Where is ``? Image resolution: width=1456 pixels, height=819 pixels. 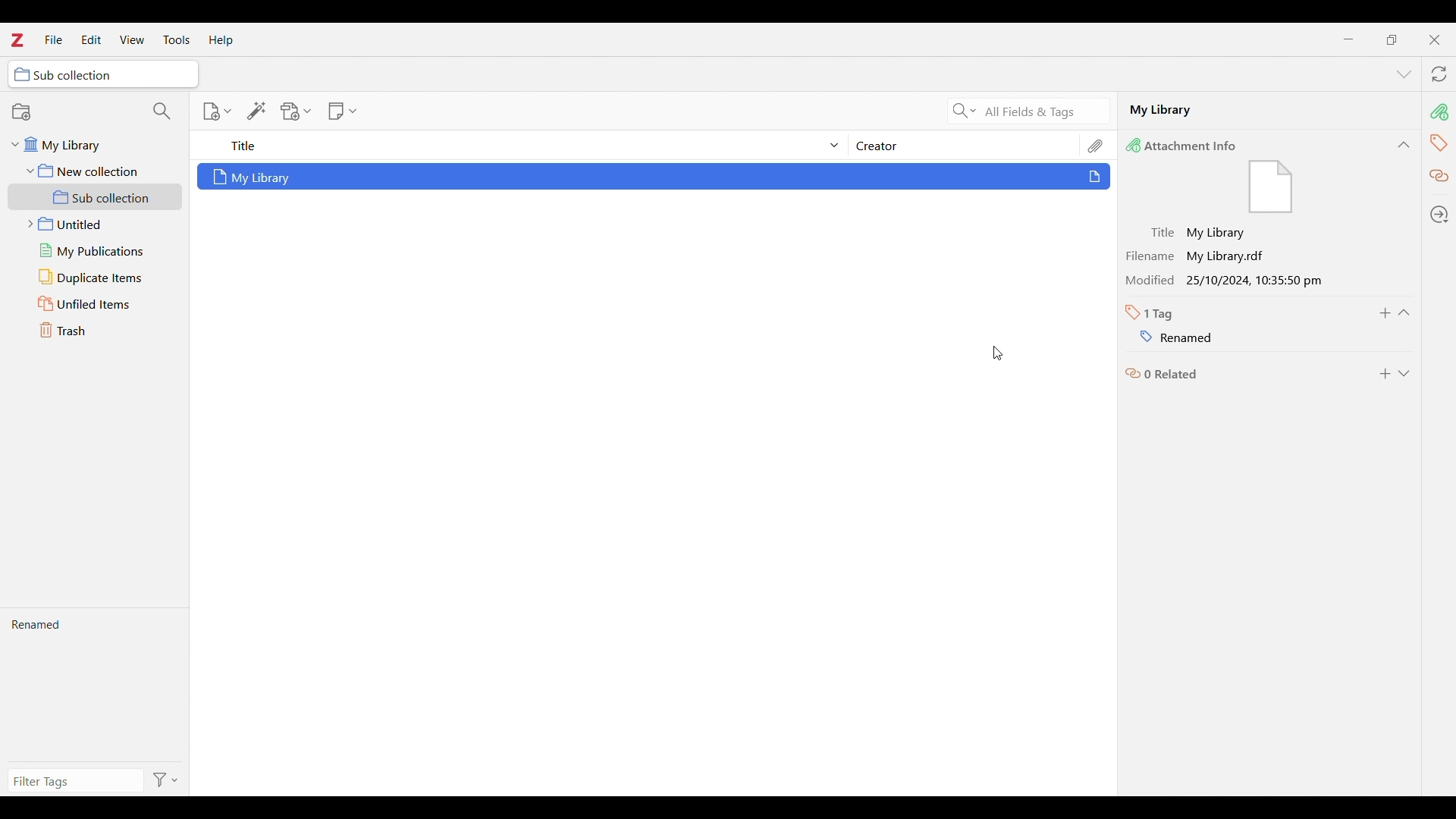
 is located at coordinates (1271, 188).